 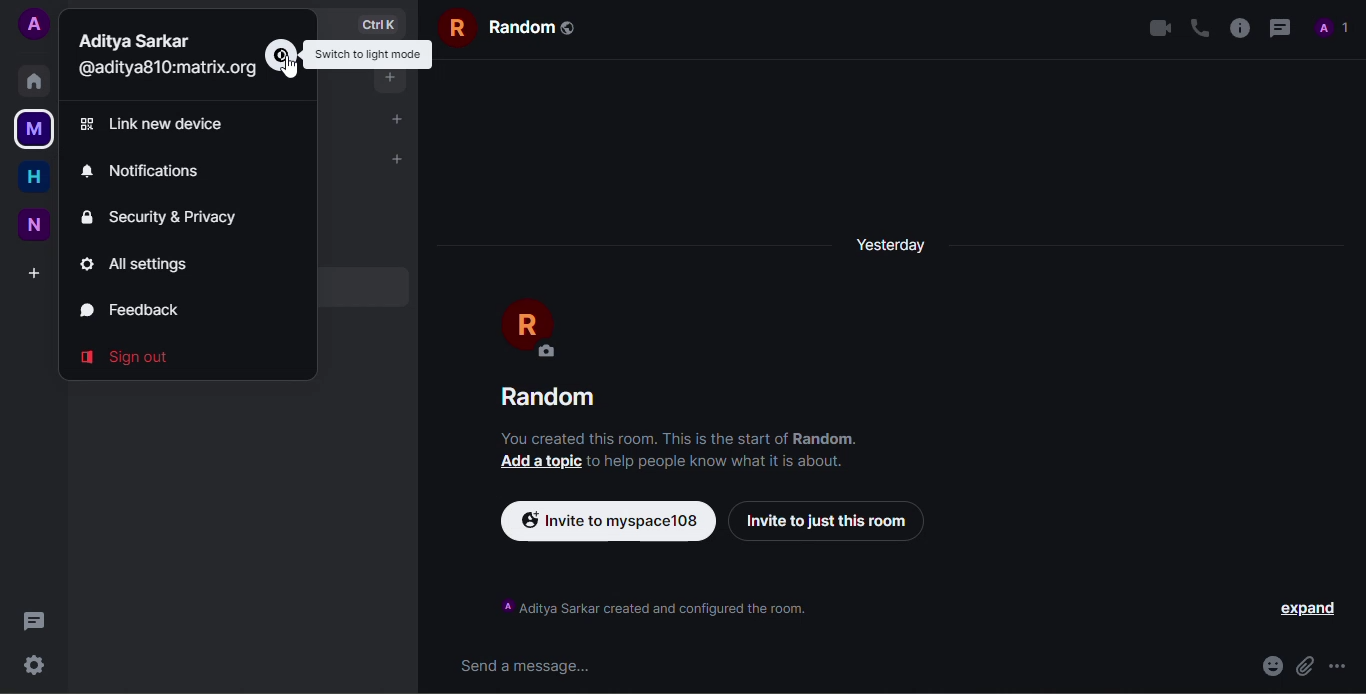 What do you see at coordinates (128, 354) in the screenshot?
I see `sign out` at bounding box center [128, 354].